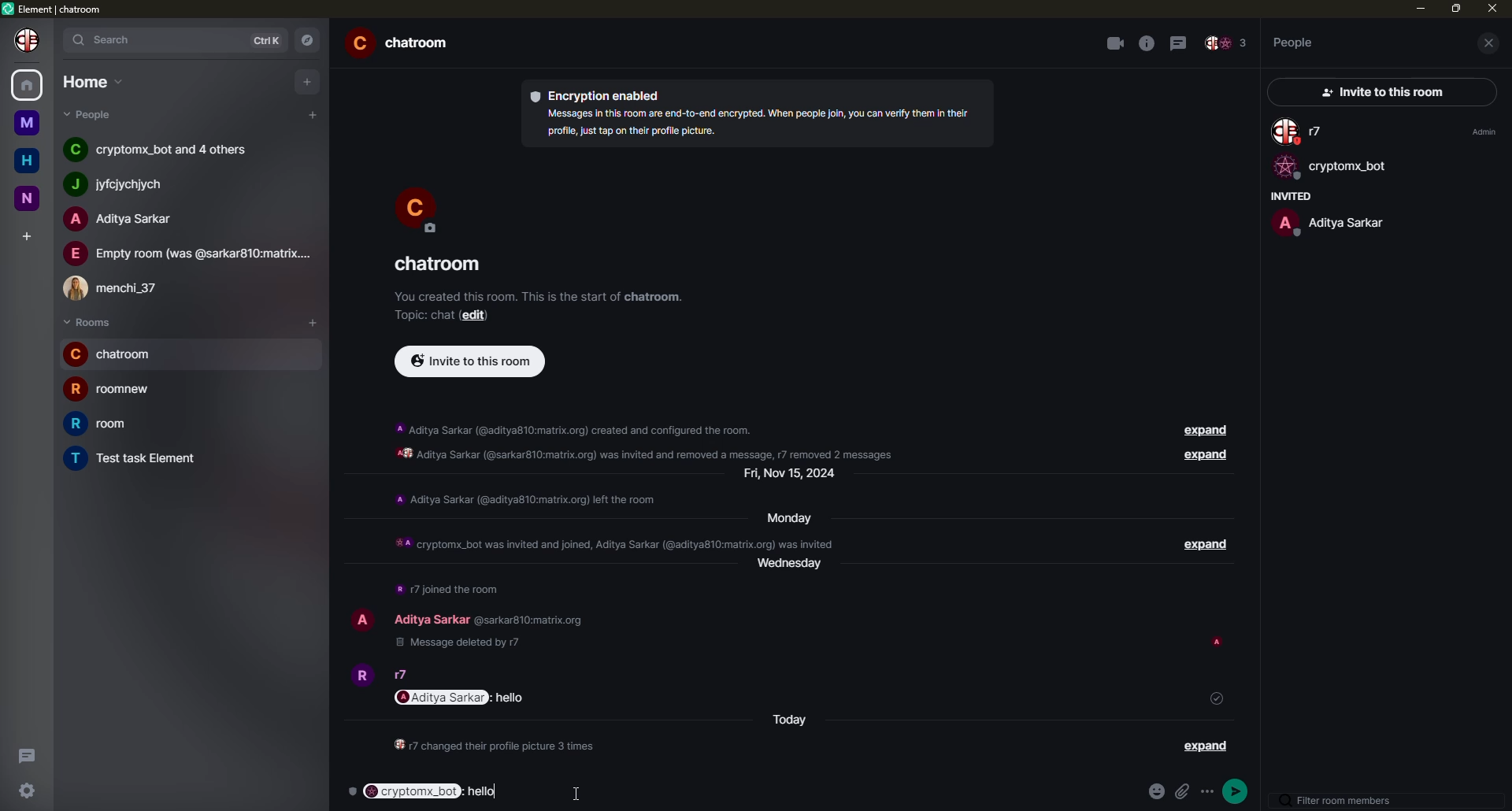  I want to click on cursor, so click(580, 792).